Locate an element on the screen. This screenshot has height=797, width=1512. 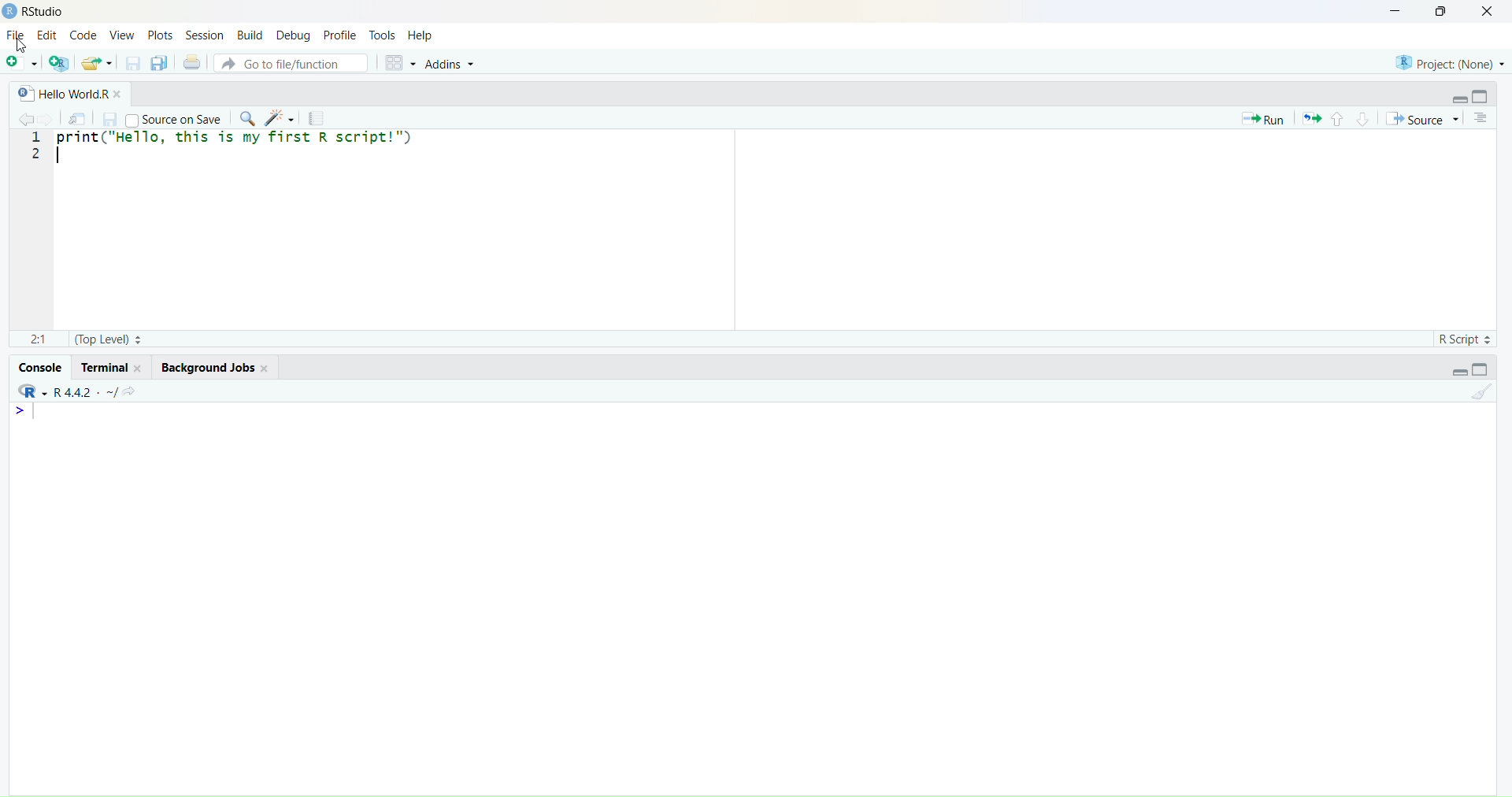
Go to file/function is located at coordinates (289, 63).